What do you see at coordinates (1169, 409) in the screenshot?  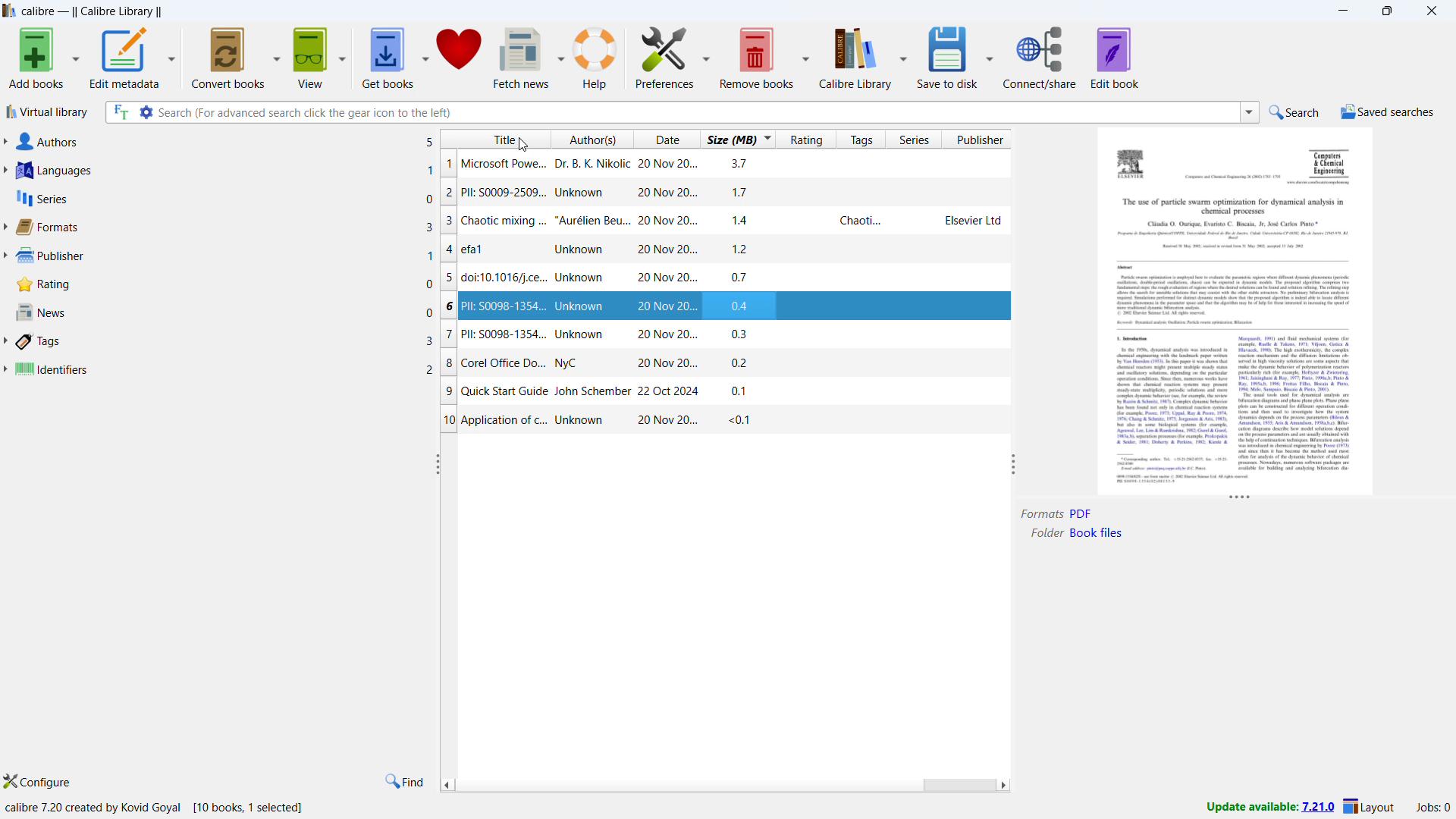 I see `` at bounding box center [1169, 409].